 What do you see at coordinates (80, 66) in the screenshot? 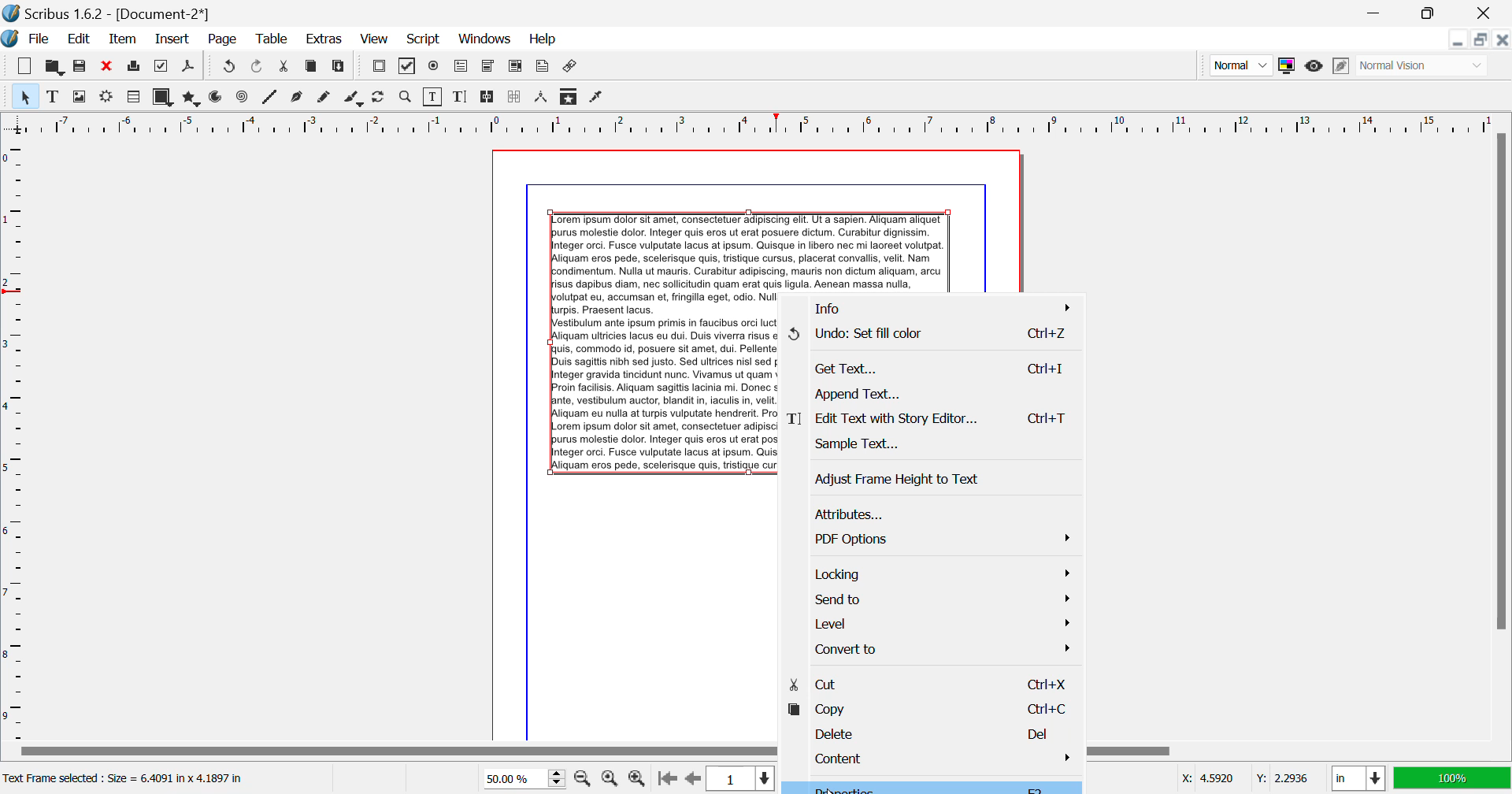
I see `Save` at bounding box center [80, 66].